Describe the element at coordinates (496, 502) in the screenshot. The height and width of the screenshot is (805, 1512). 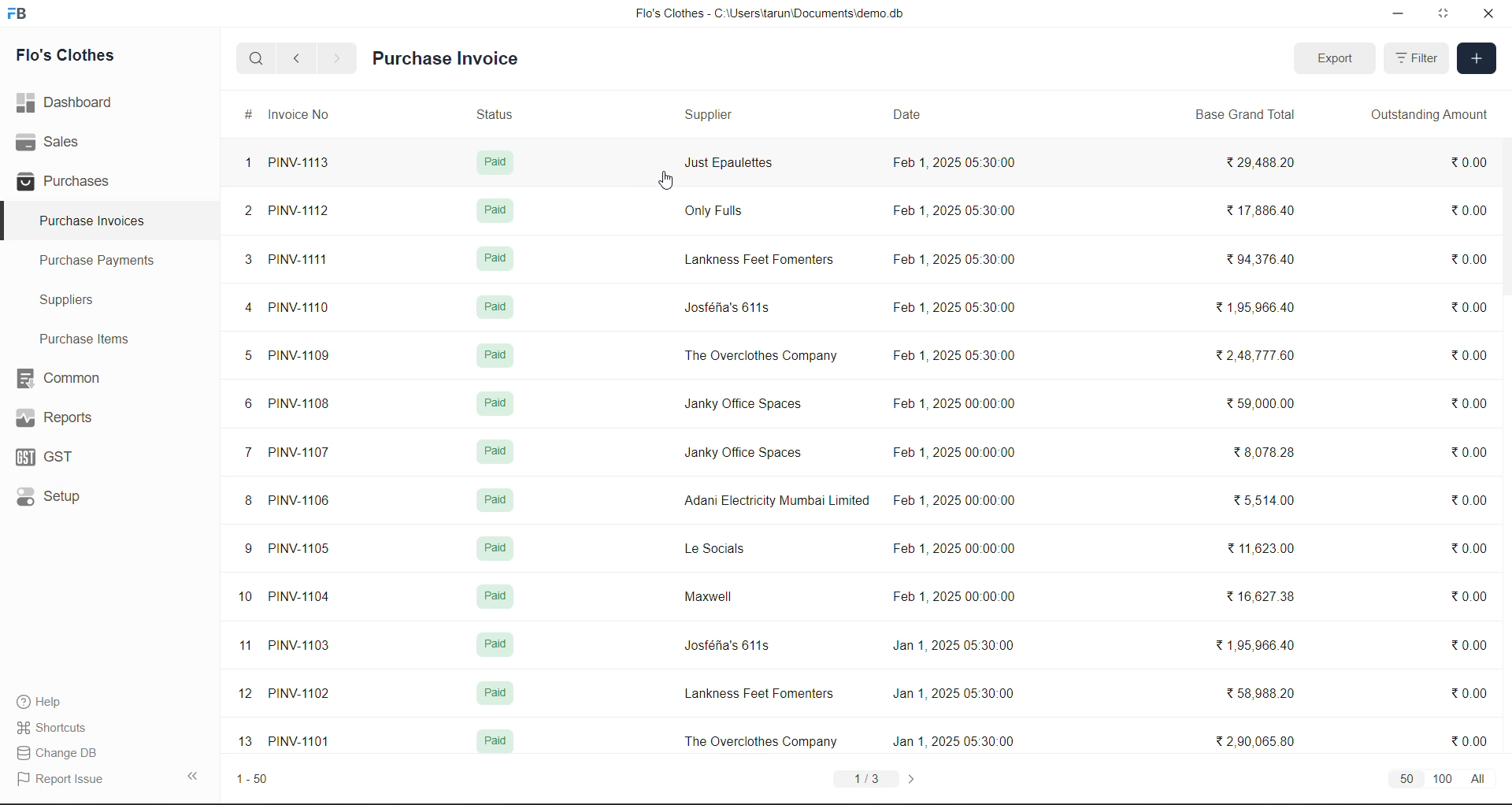
I see `Paid` at that location.